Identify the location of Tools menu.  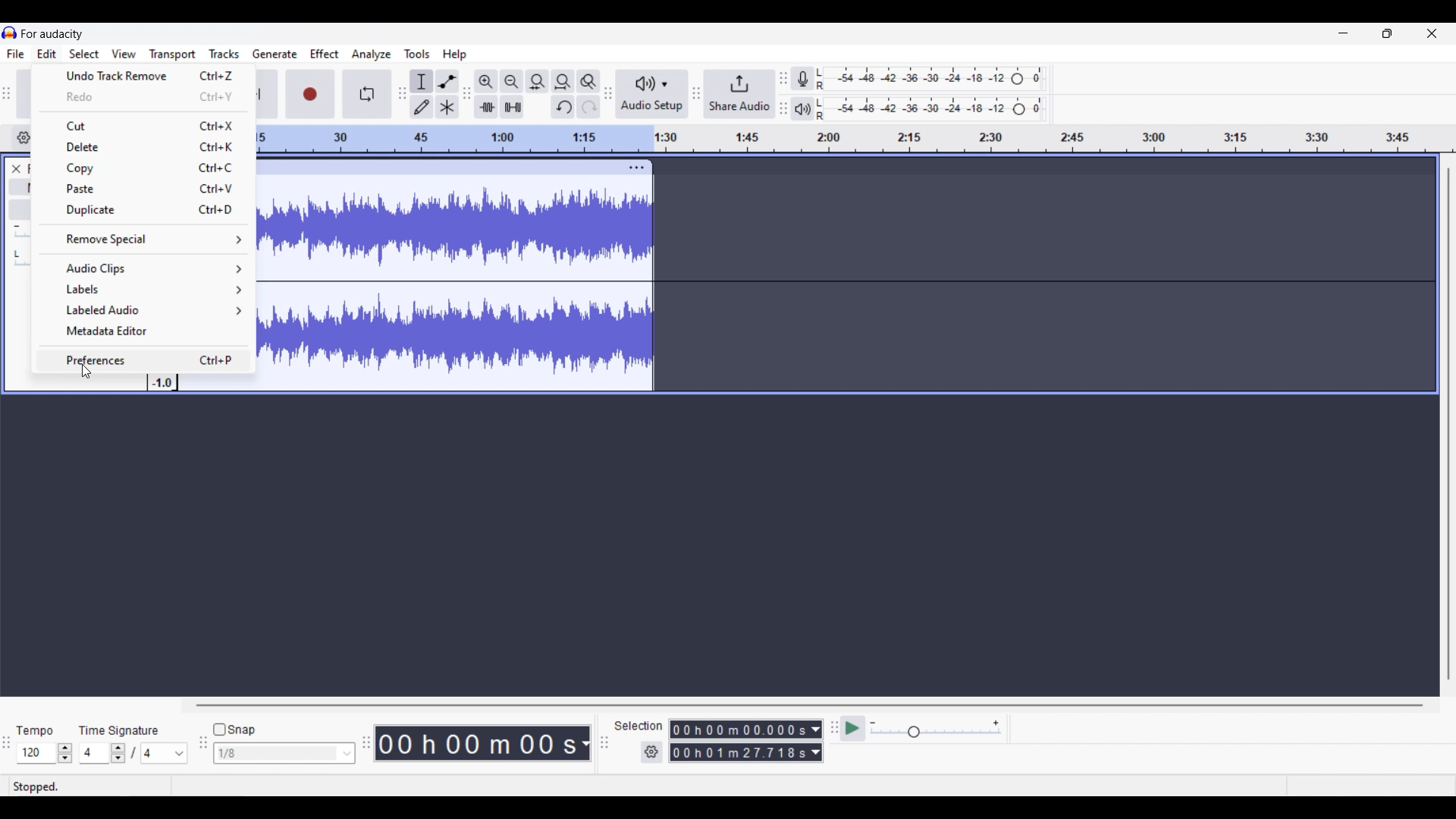
(418, 54).